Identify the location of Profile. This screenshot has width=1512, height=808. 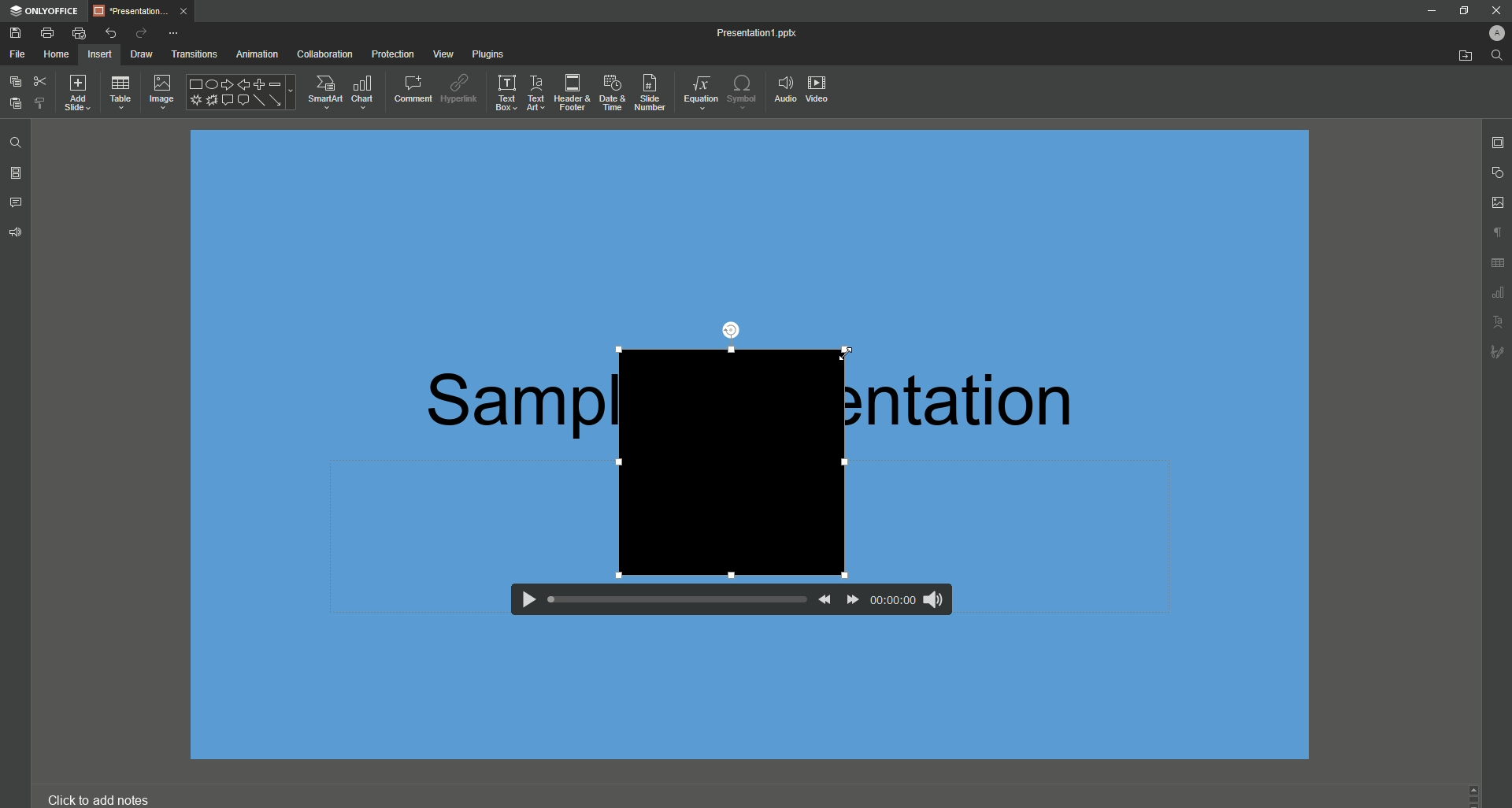
(1495, 34).